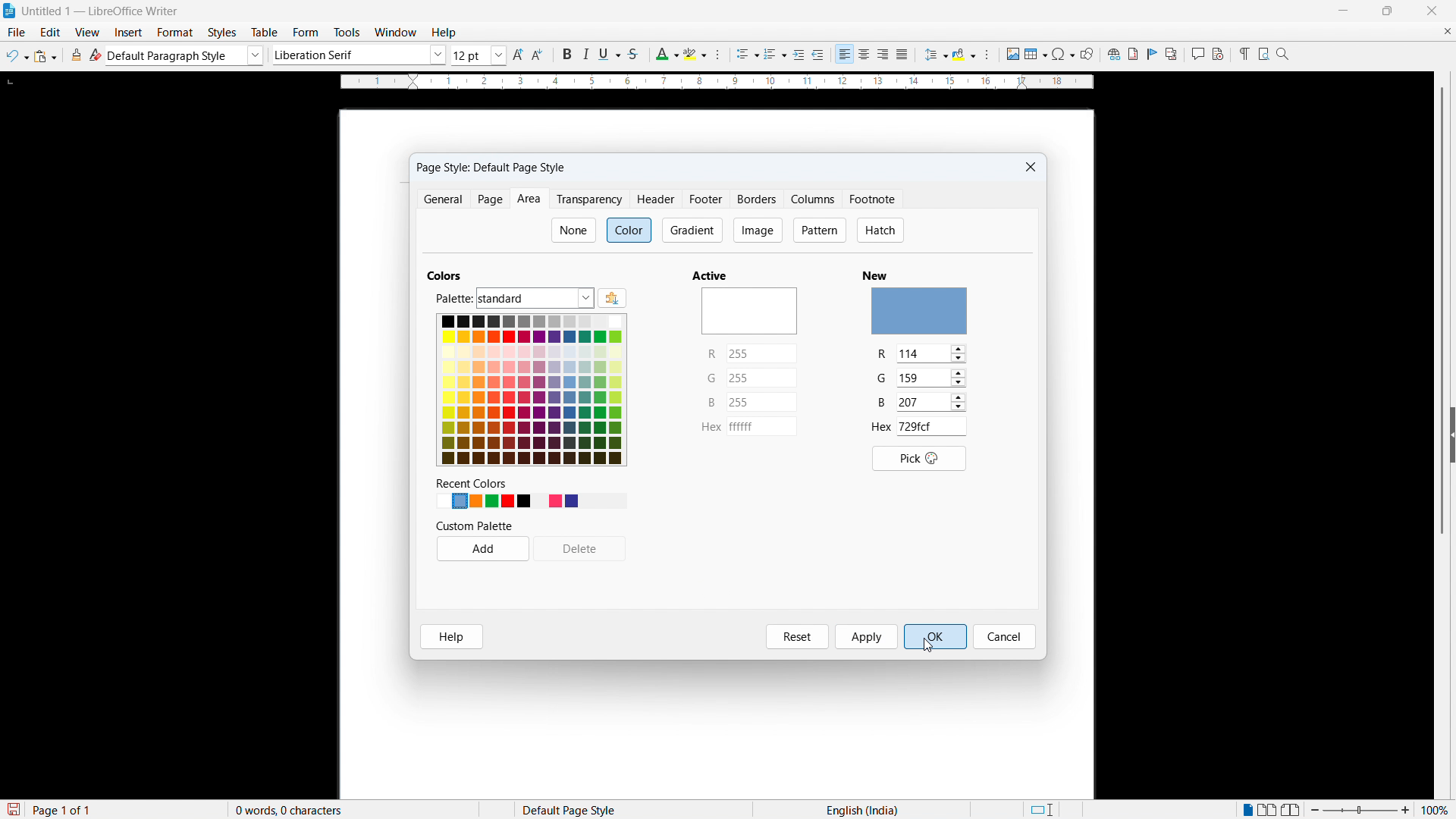  Describe the element at coordinates (798, 636) in the screenshot. I see `Reset ` at that location.